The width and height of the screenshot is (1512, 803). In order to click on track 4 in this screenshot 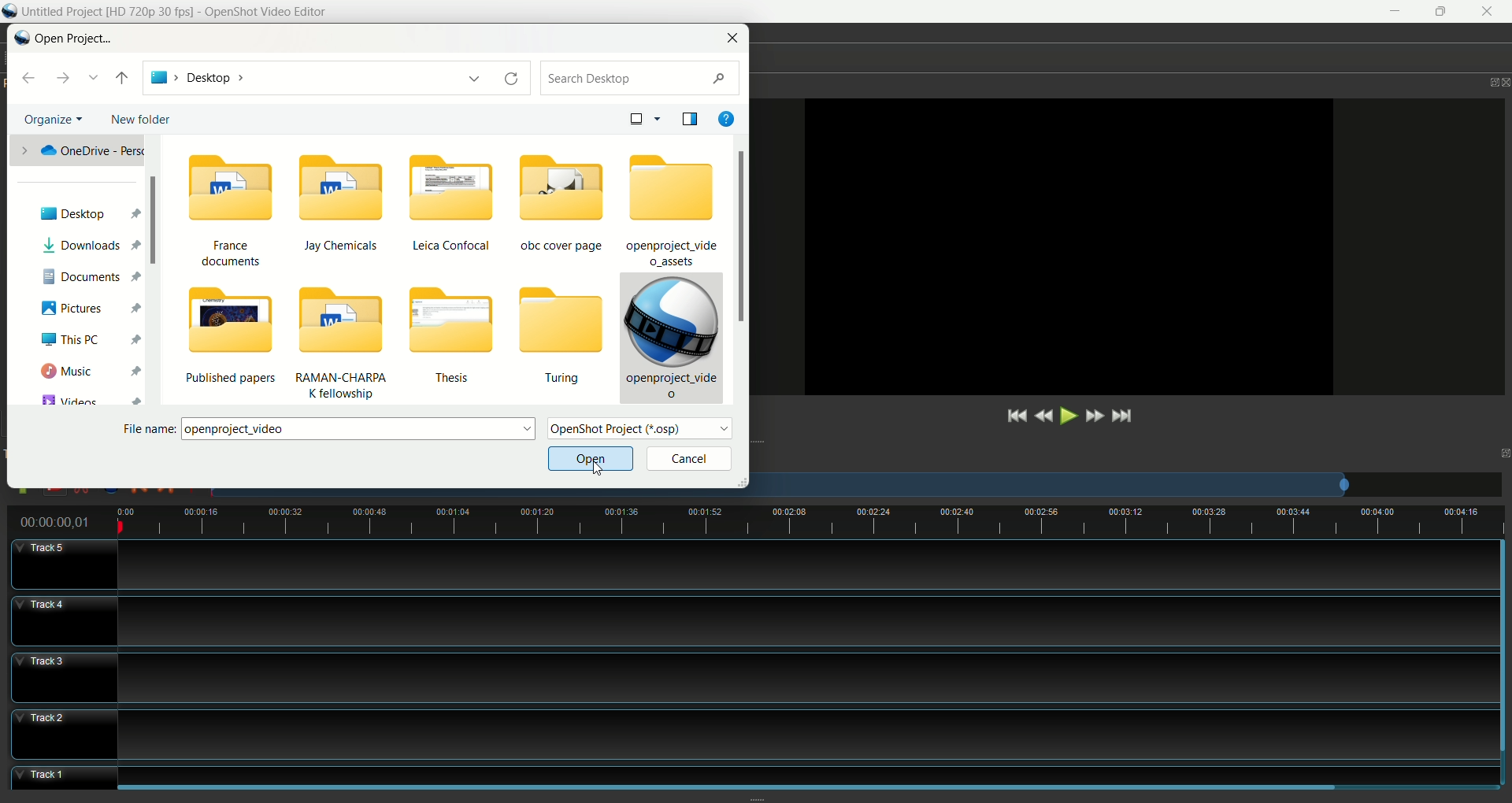, I will do `click(743, 621)`.